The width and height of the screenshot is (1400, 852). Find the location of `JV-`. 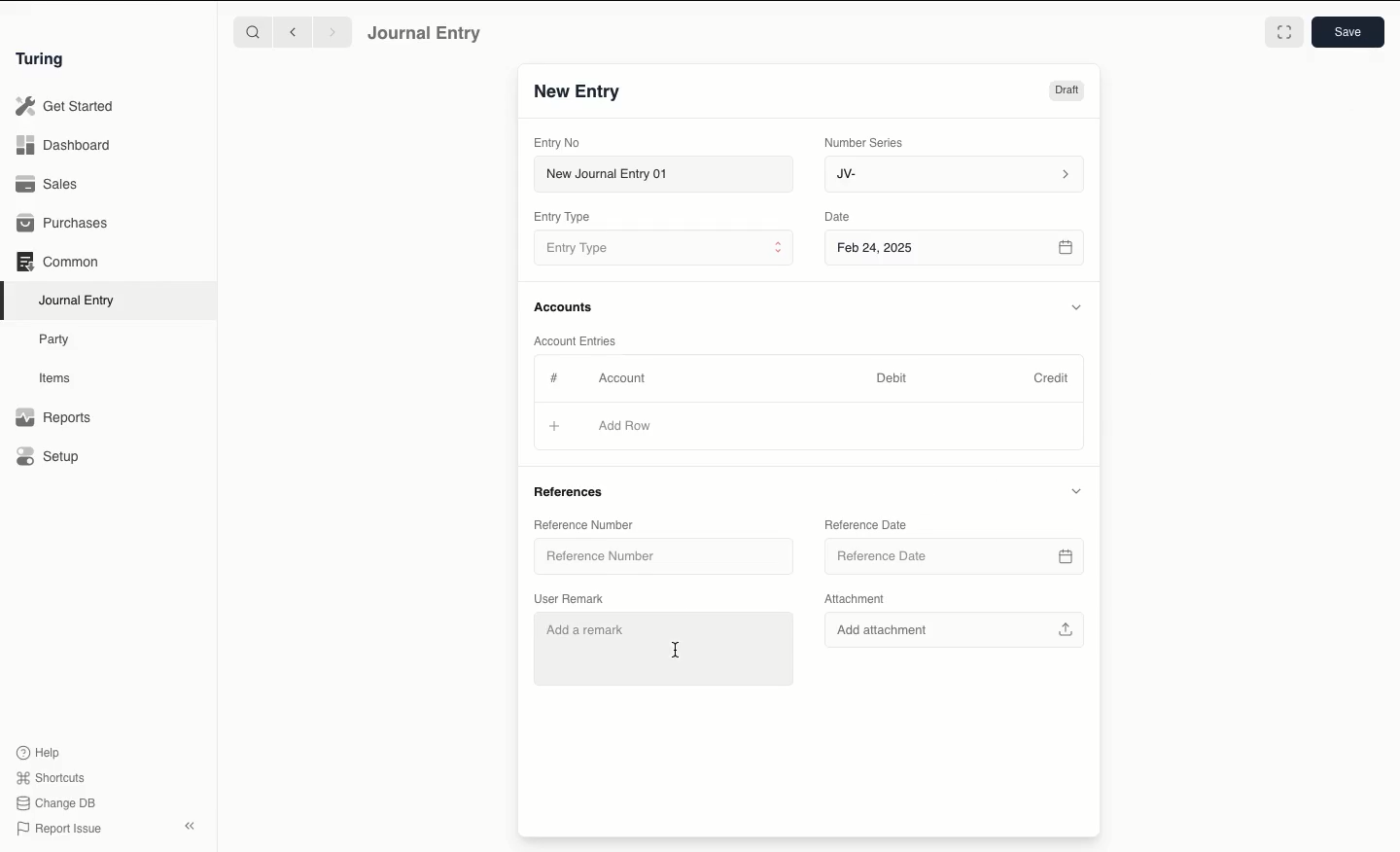

JV- is located at coordinates (956, 175).